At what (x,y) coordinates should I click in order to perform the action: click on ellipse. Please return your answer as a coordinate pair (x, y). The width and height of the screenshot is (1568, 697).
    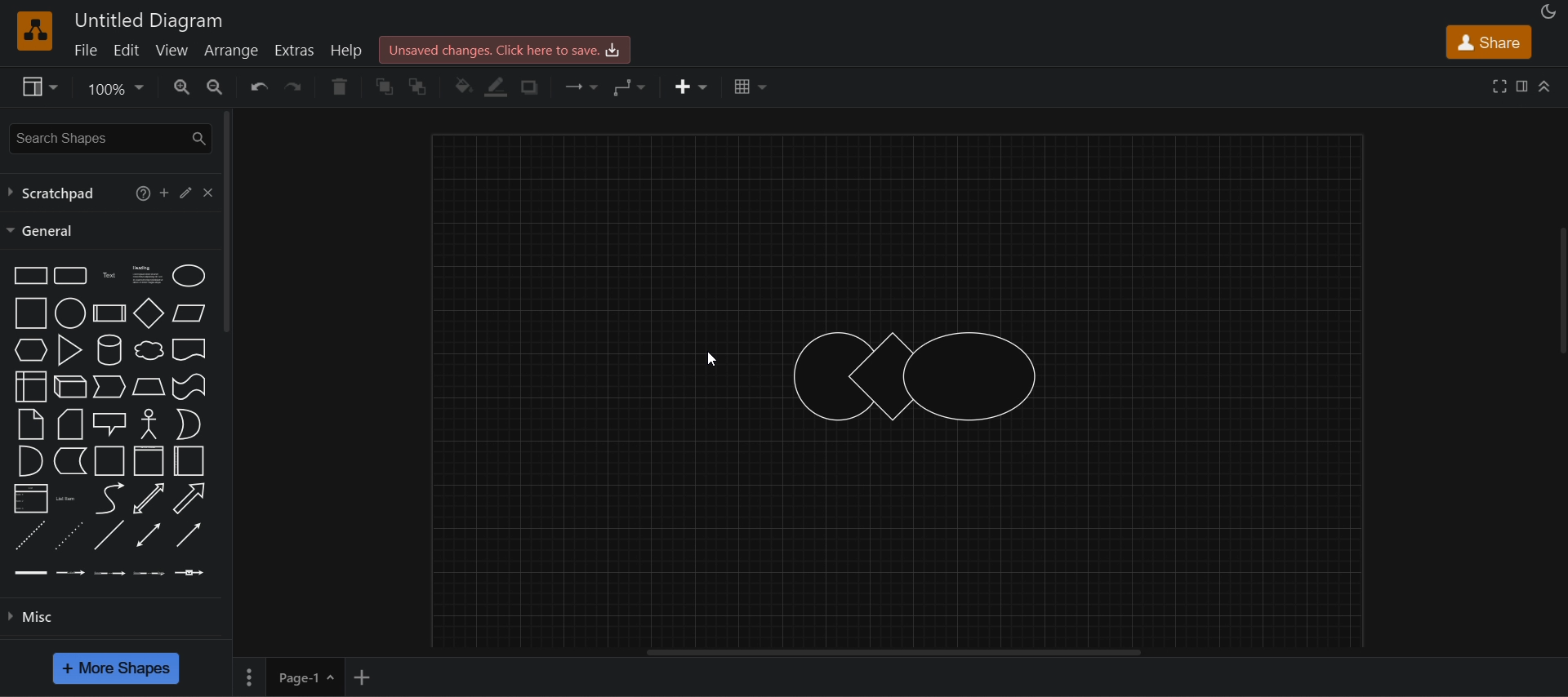
    Looking at the image, I should click on (189, 274).